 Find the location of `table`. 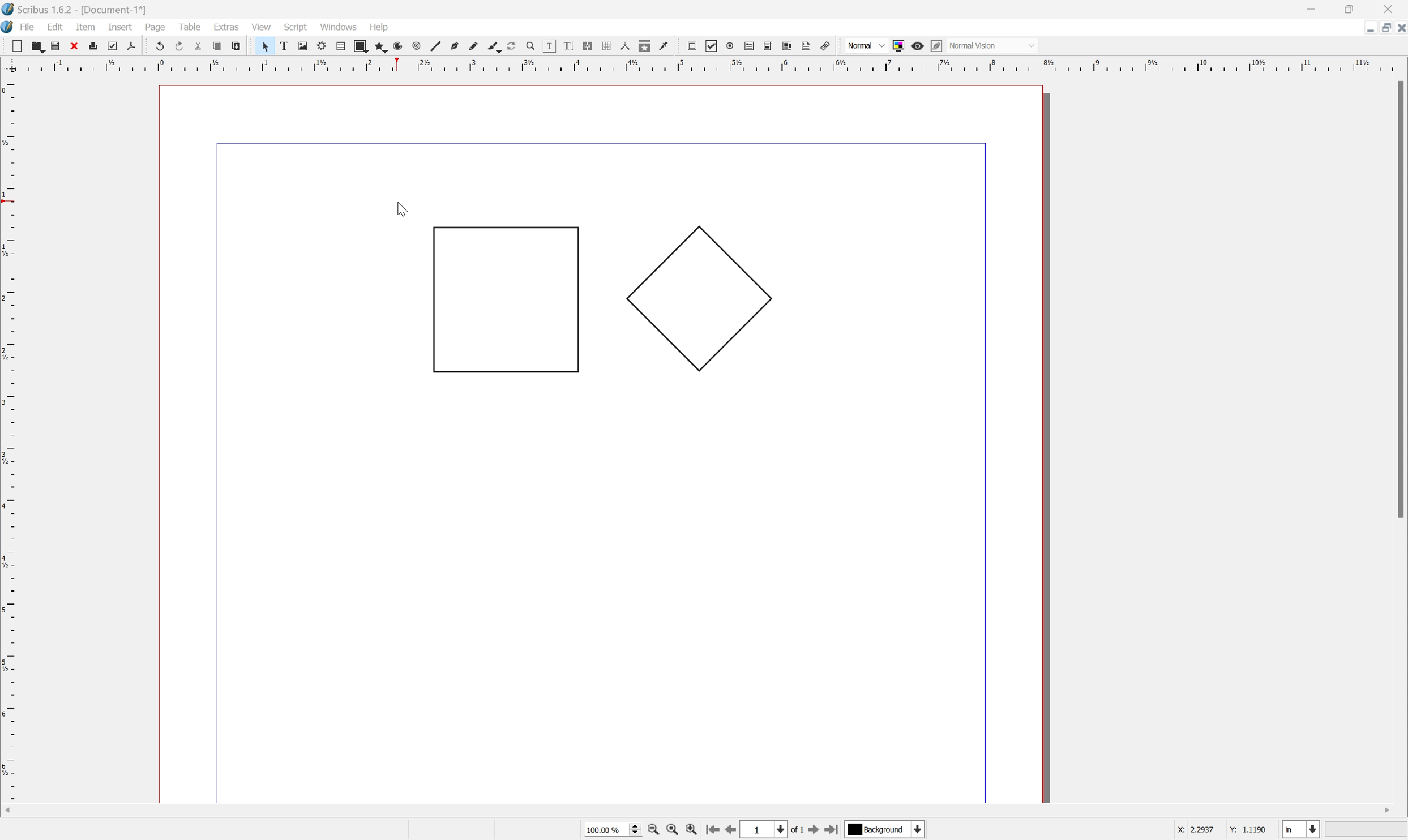

table is located at coordinates (192, 28).